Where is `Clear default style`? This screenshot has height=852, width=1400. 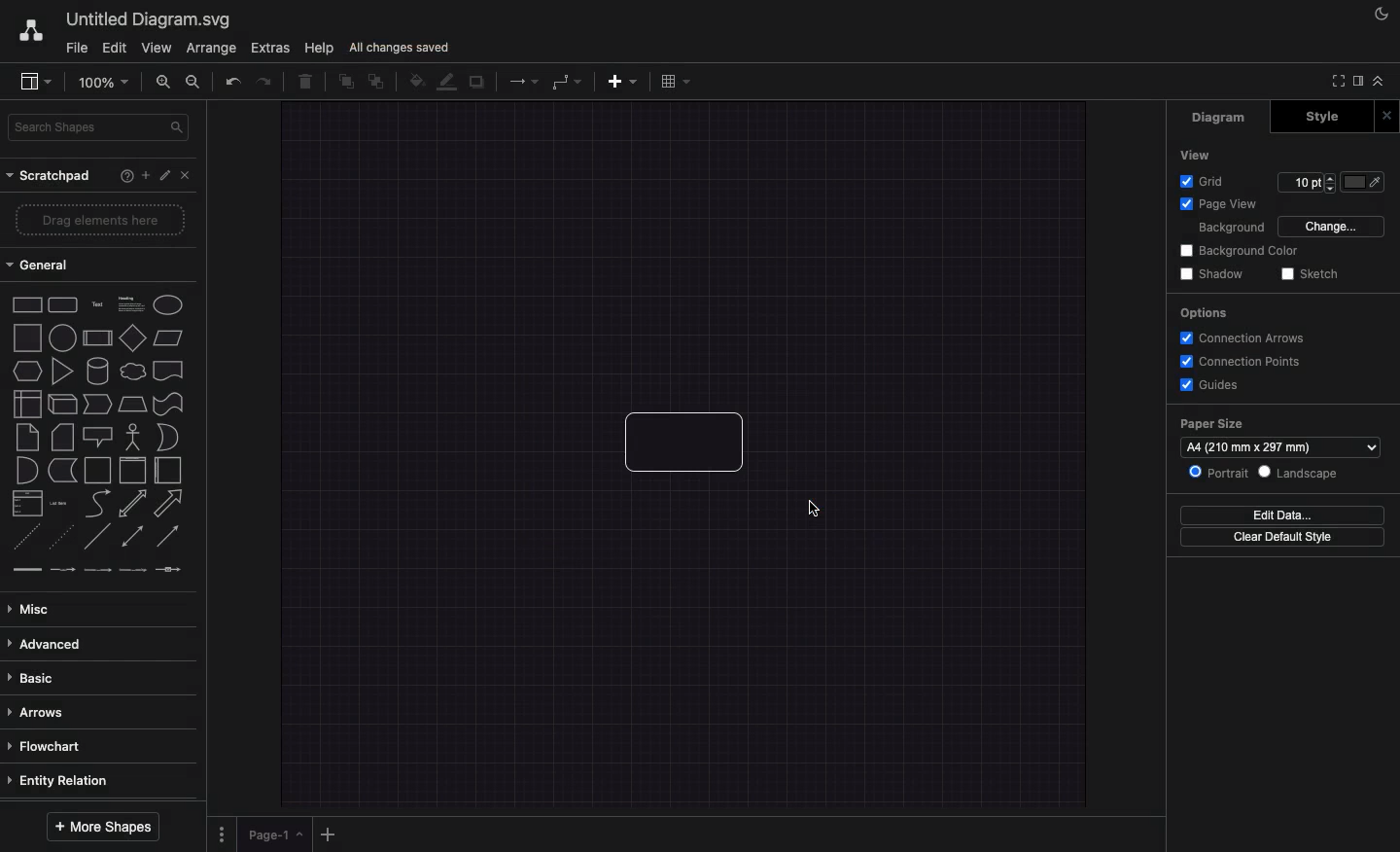 Clear default style is located at coordinates (1285, 538).